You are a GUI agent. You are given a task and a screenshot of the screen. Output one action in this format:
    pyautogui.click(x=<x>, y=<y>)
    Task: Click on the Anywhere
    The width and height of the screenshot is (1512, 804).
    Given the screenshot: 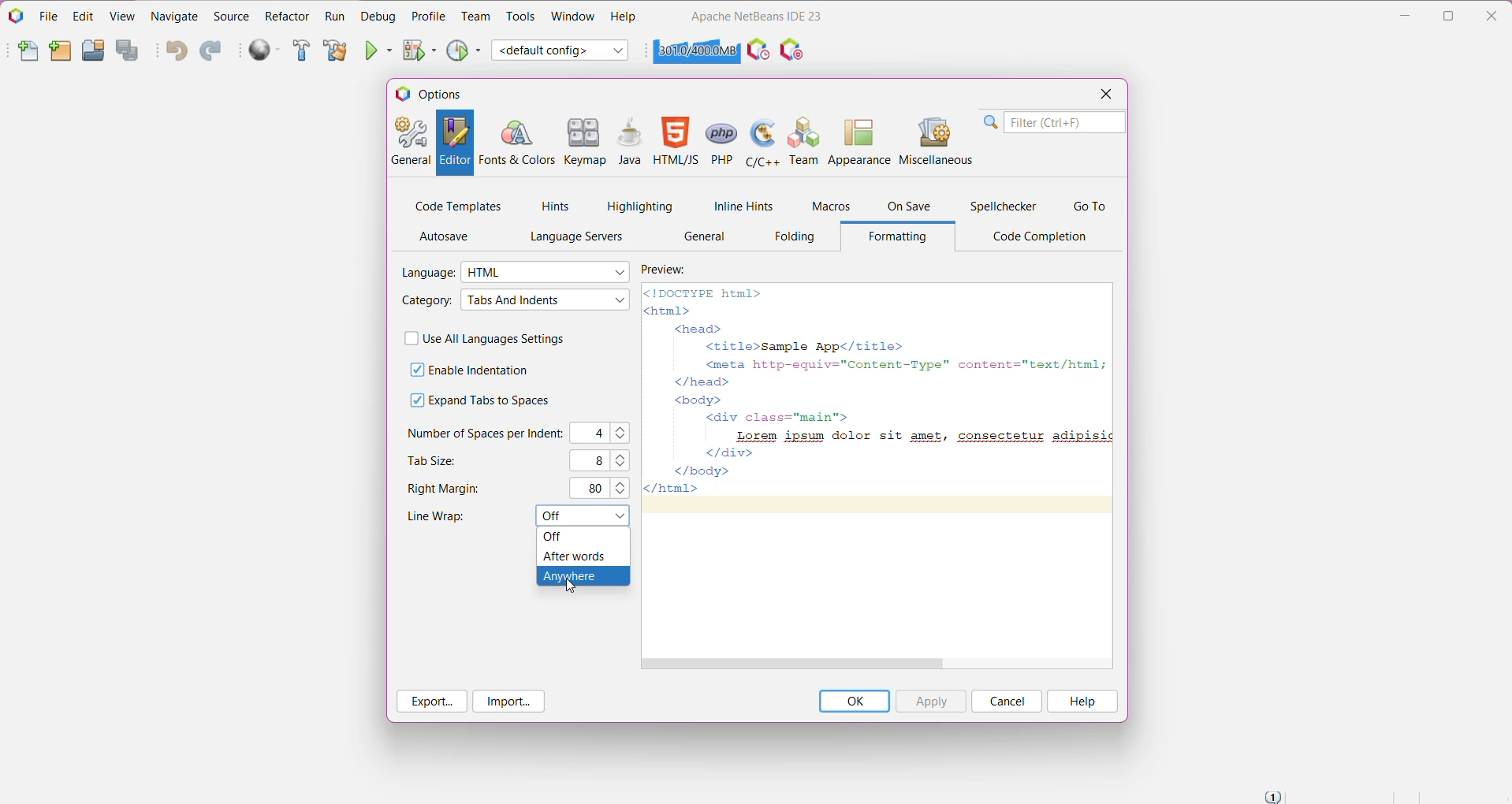 What is the action you would take?
    pyautogui.click(x=579, y=575)
    